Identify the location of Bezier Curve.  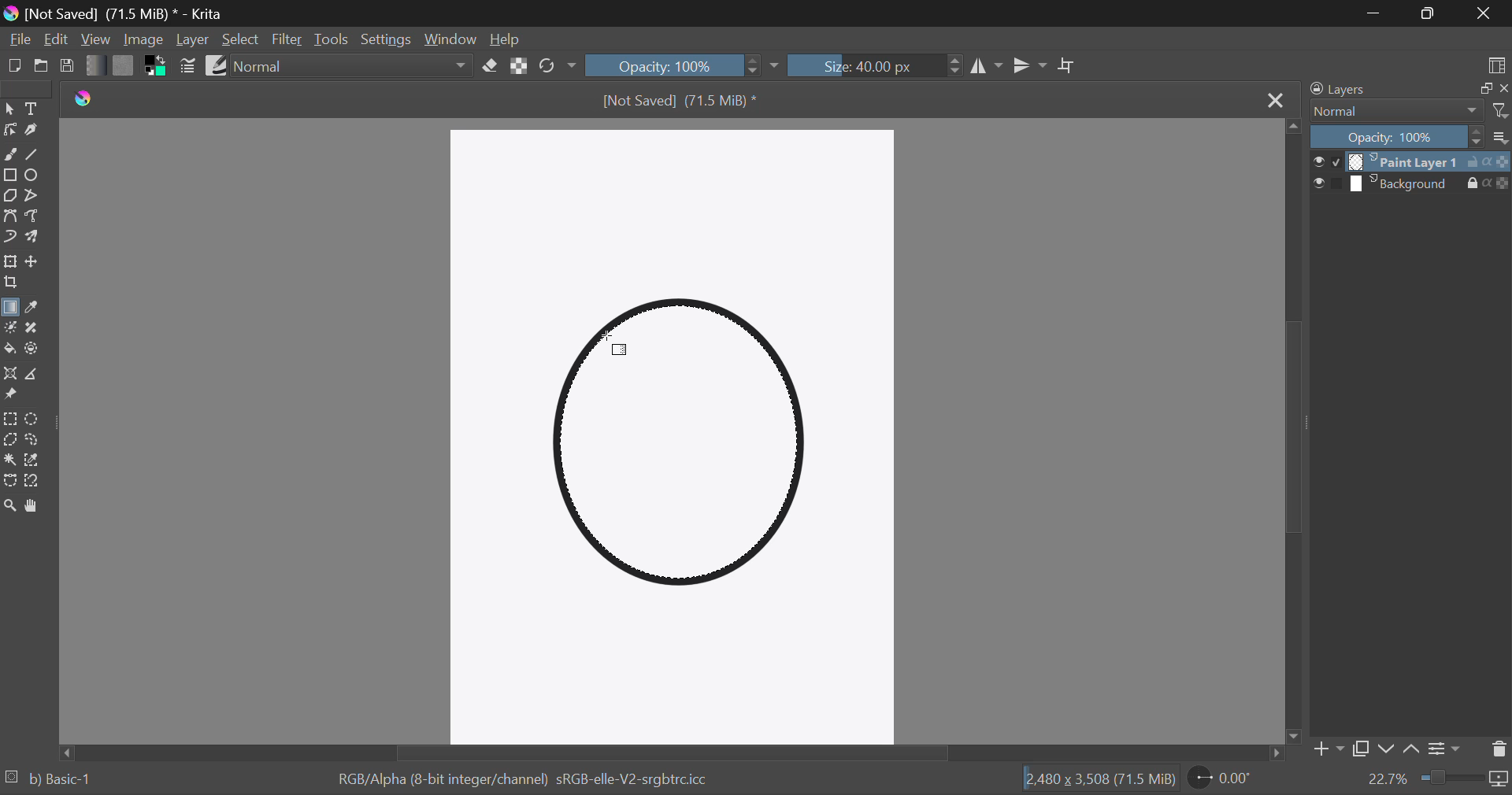
(10, 216).